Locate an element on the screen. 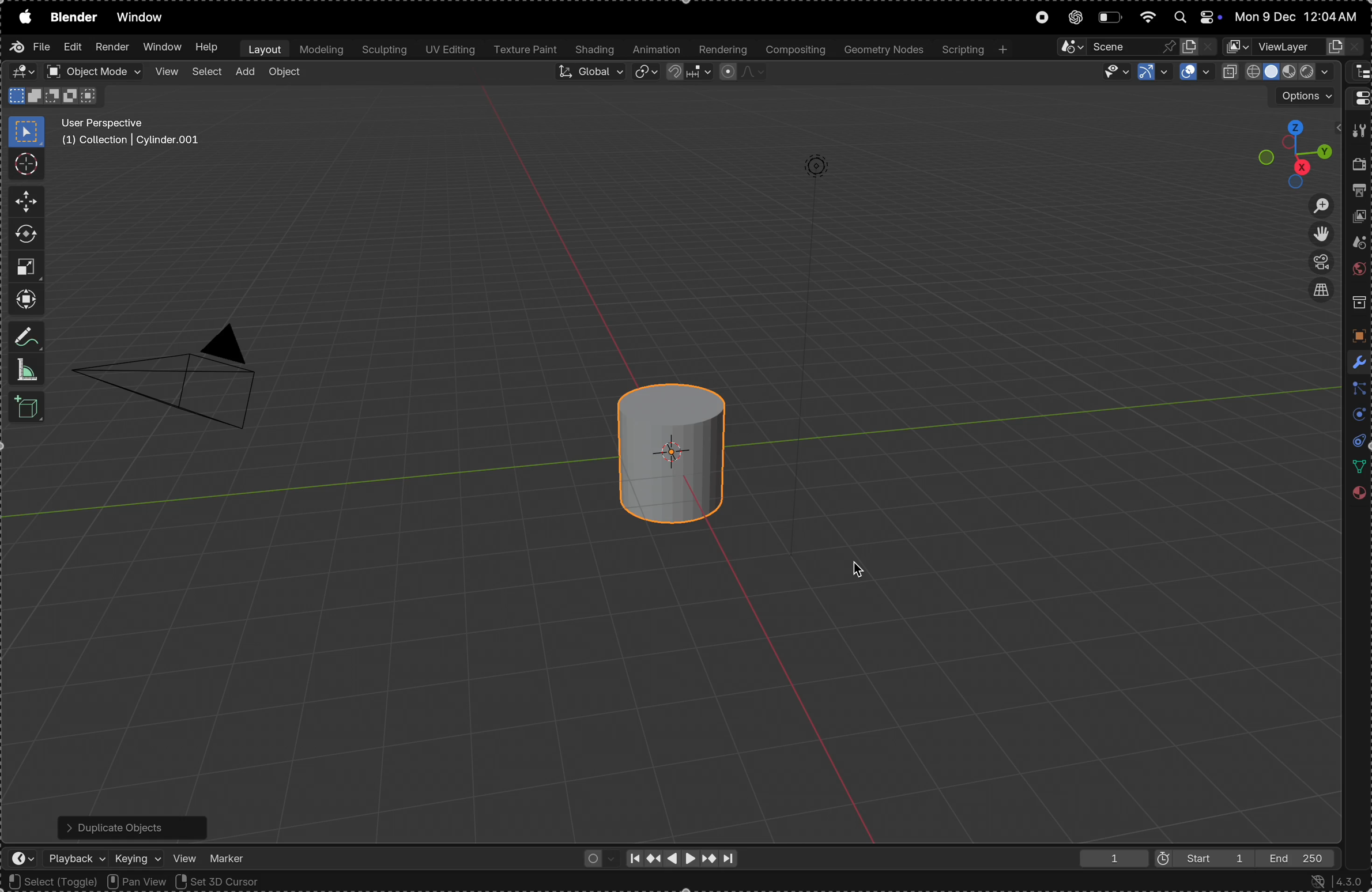 This screenshot has height=892, width=1372. toggle view point is located at coordinates (1318, 235).